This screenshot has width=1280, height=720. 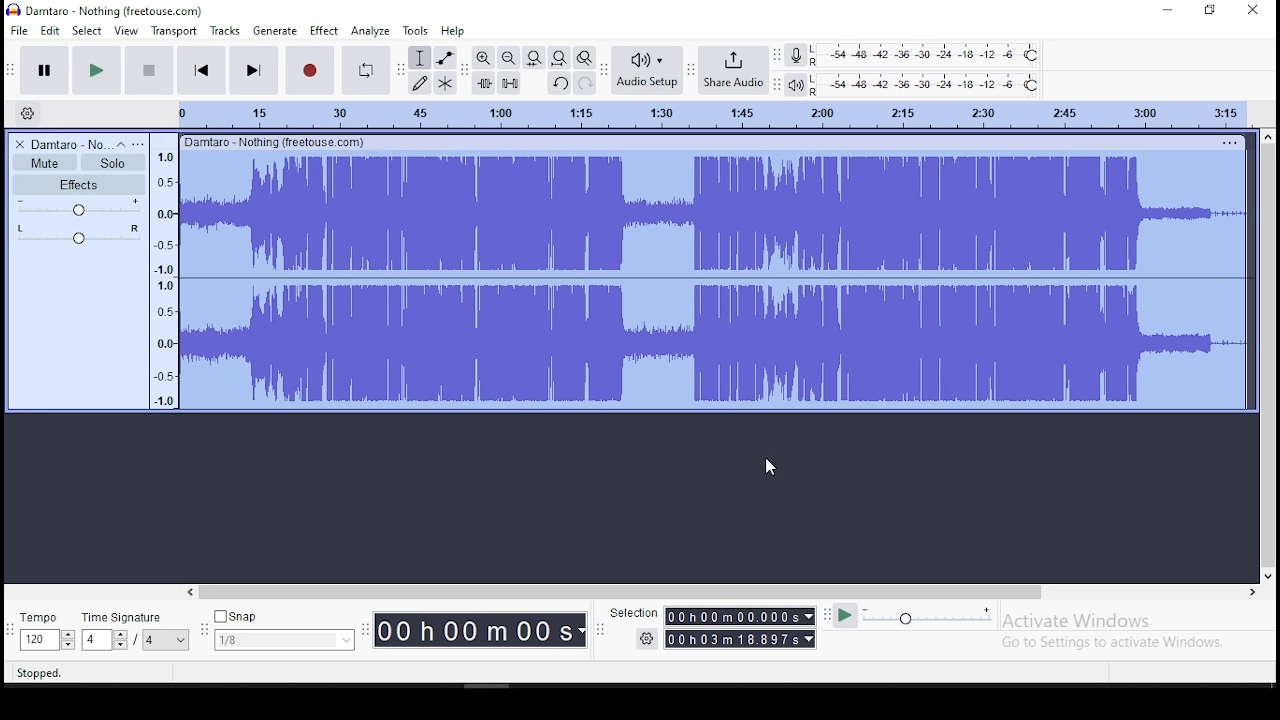 What do you see at coordinates (253, 71) in the screenshot?
I see `skip to end` at bounding box center [253, 71].